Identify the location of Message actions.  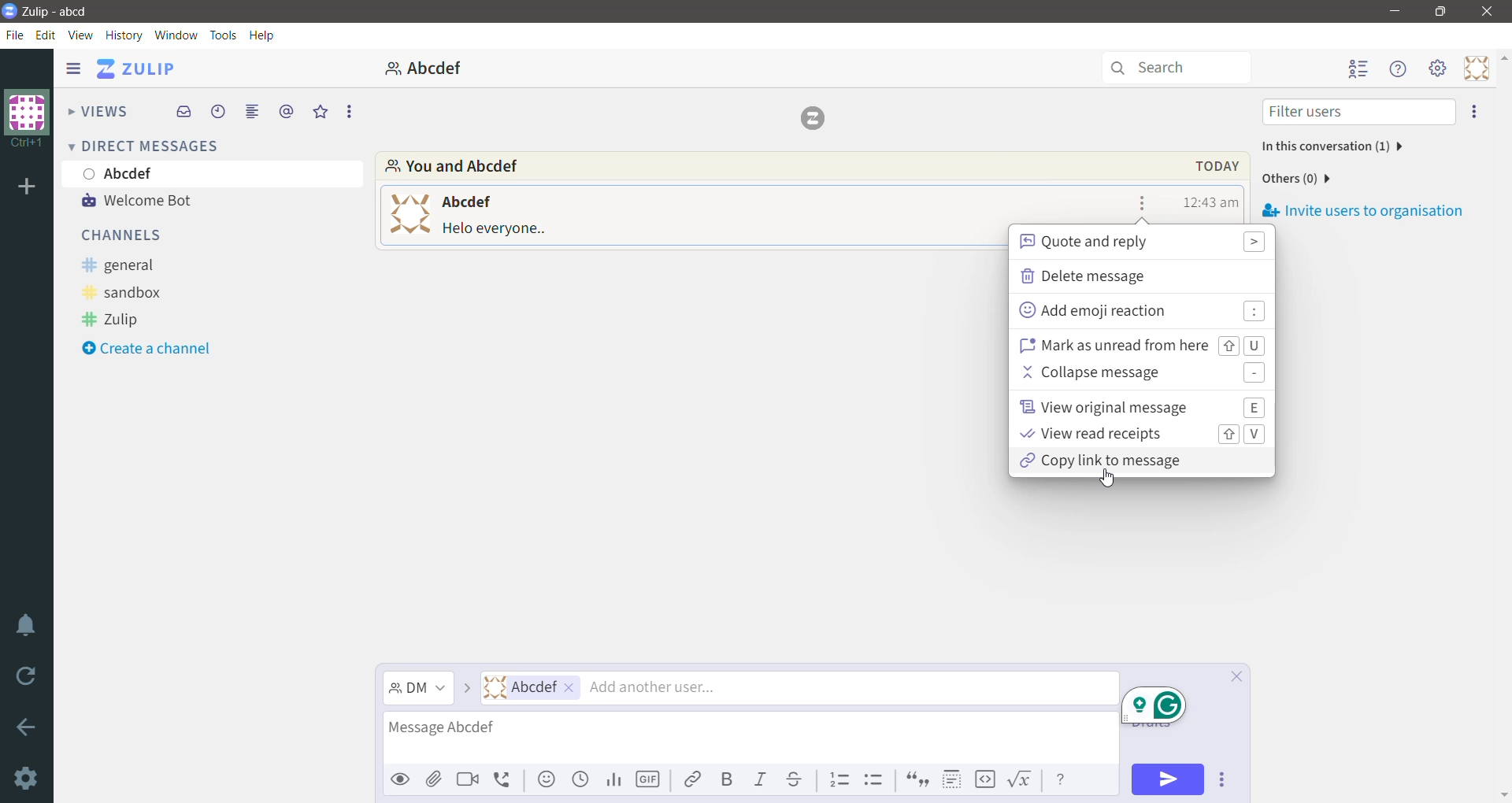
(1138, 202).